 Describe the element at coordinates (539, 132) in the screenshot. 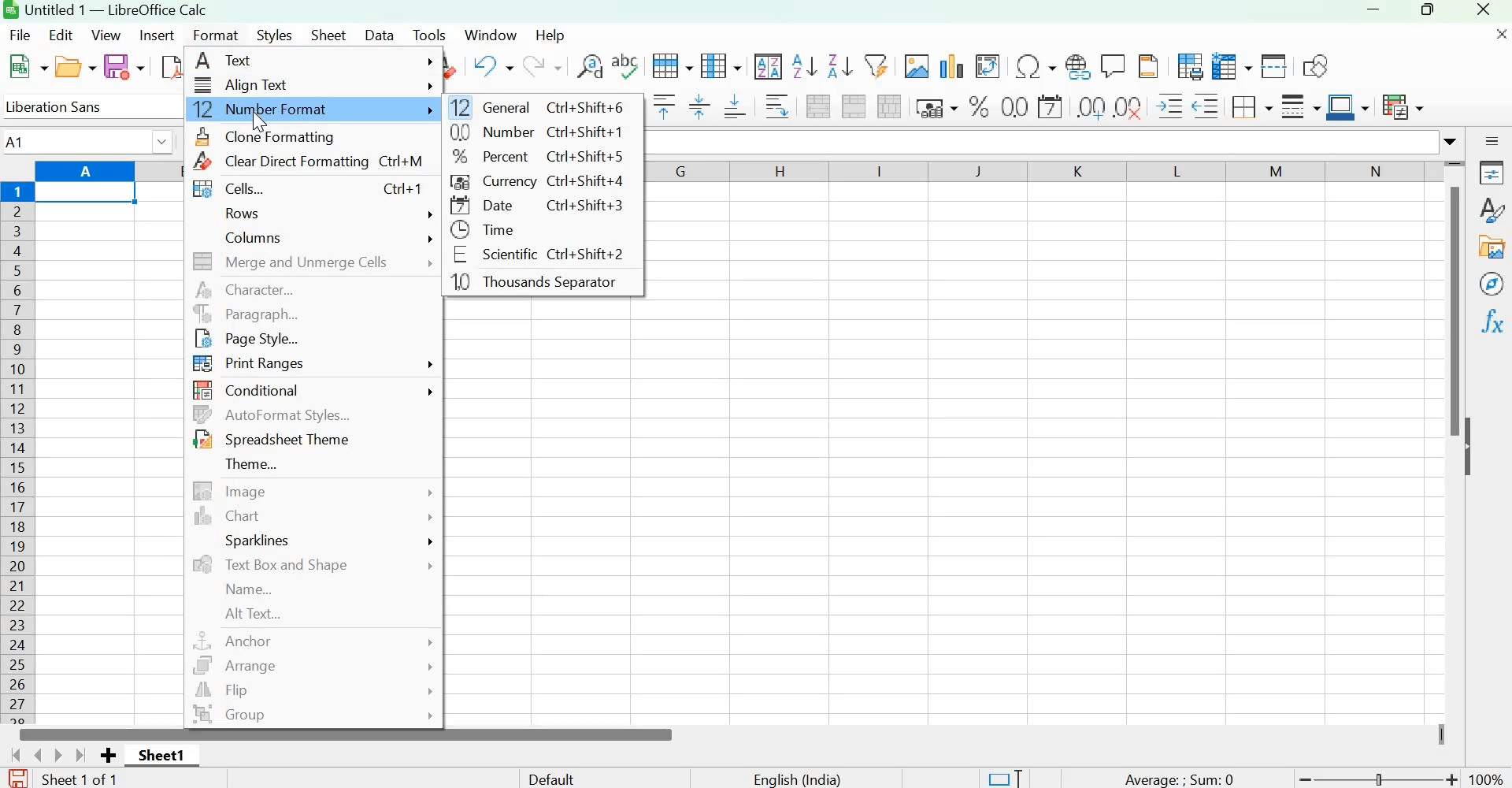

I see `Number` at that location.